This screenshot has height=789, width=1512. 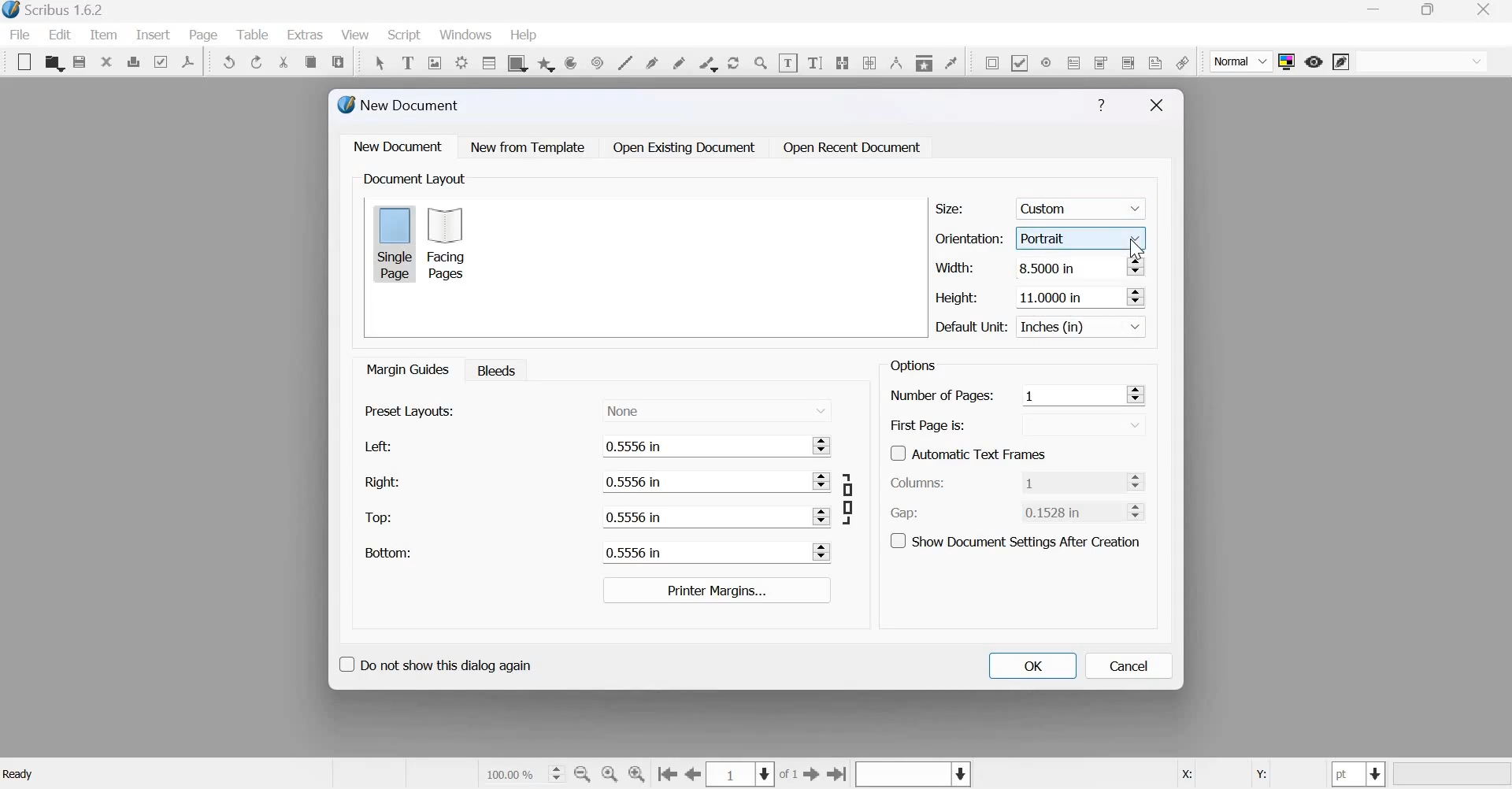 What do you see at coordinates (1062, 424) in the screenshot?
I see `down` at bounding box center [1062, 424].